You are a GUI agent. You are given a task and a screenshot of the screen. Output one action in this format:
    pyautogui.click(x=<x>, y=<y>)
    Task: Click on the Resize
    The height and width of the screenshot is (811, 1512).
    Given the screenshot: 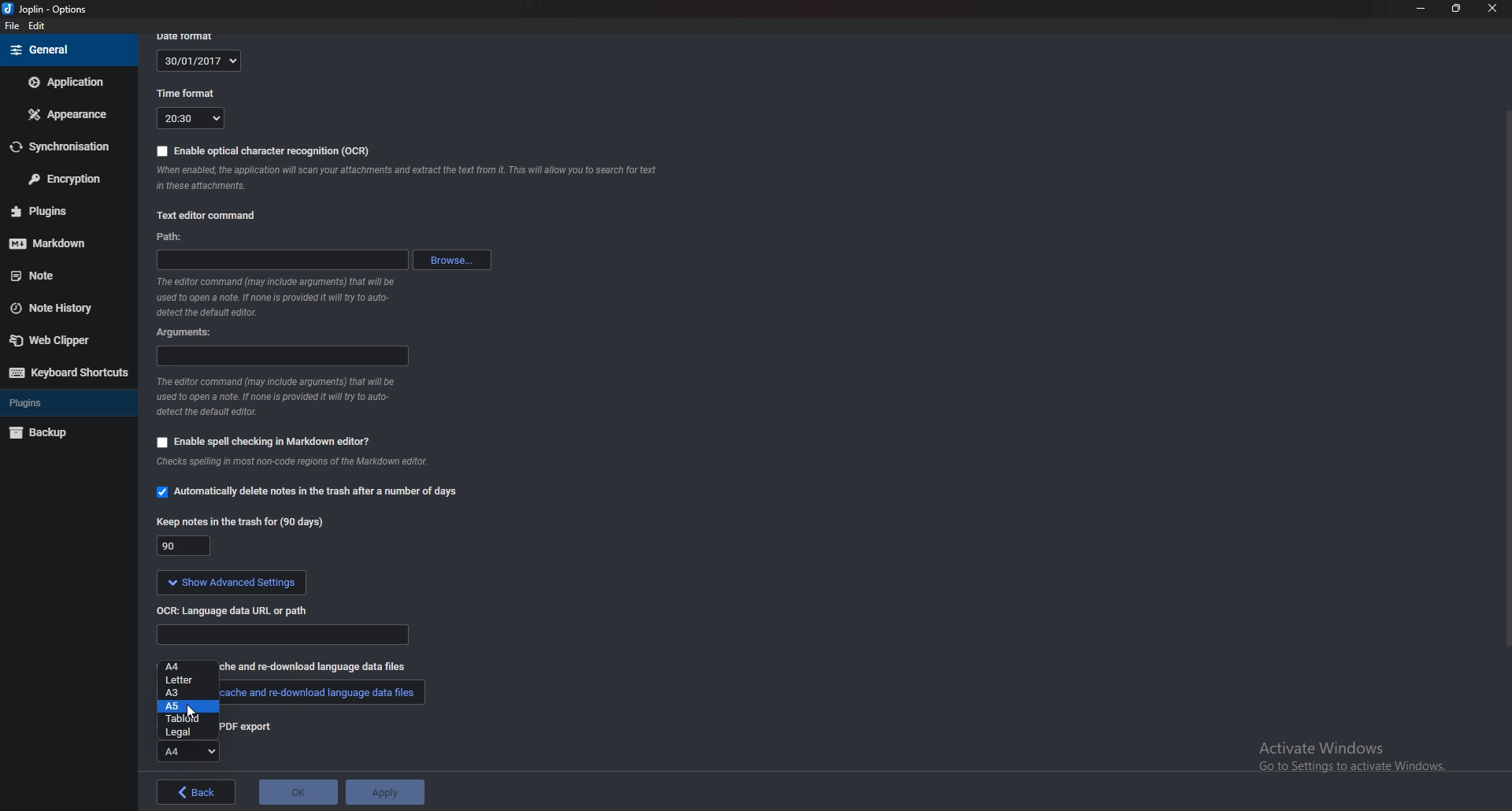 What is the action you would take?
    pyautogui.click(x=1457, y=9)
    